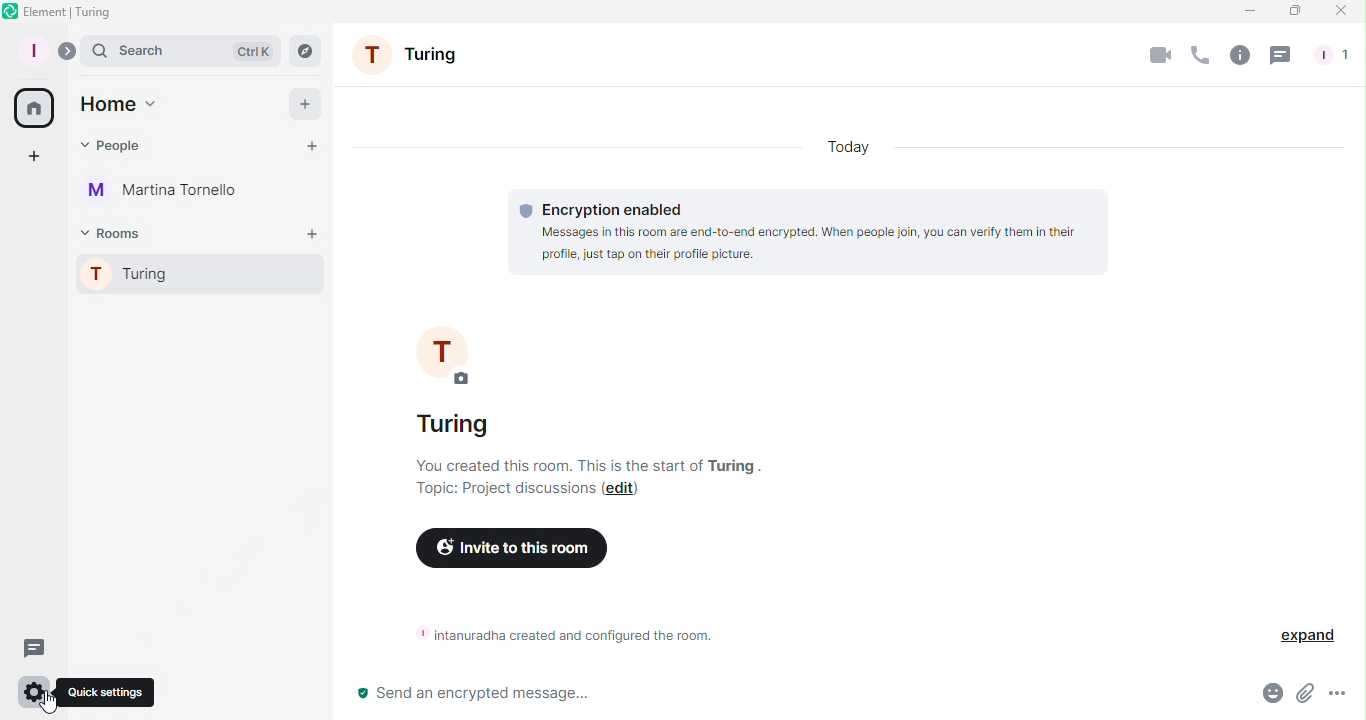 The width and height of the screenshot is (1366, 720). What do you see at coordinates (1296, 632) in the screenshot?
I see `Expand` at bounding box center [1296, 632].